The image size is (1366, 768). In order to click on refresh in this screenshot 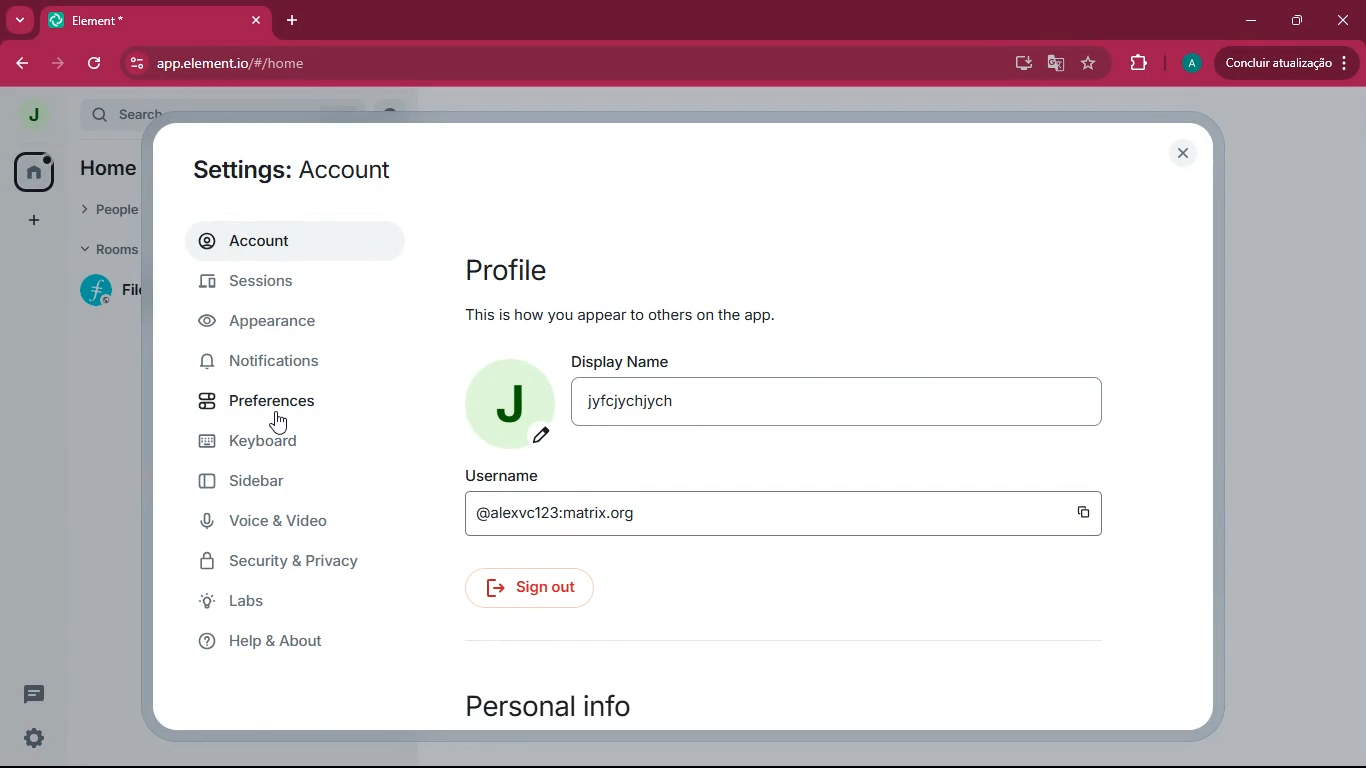, I will do `click(92, 64)`.